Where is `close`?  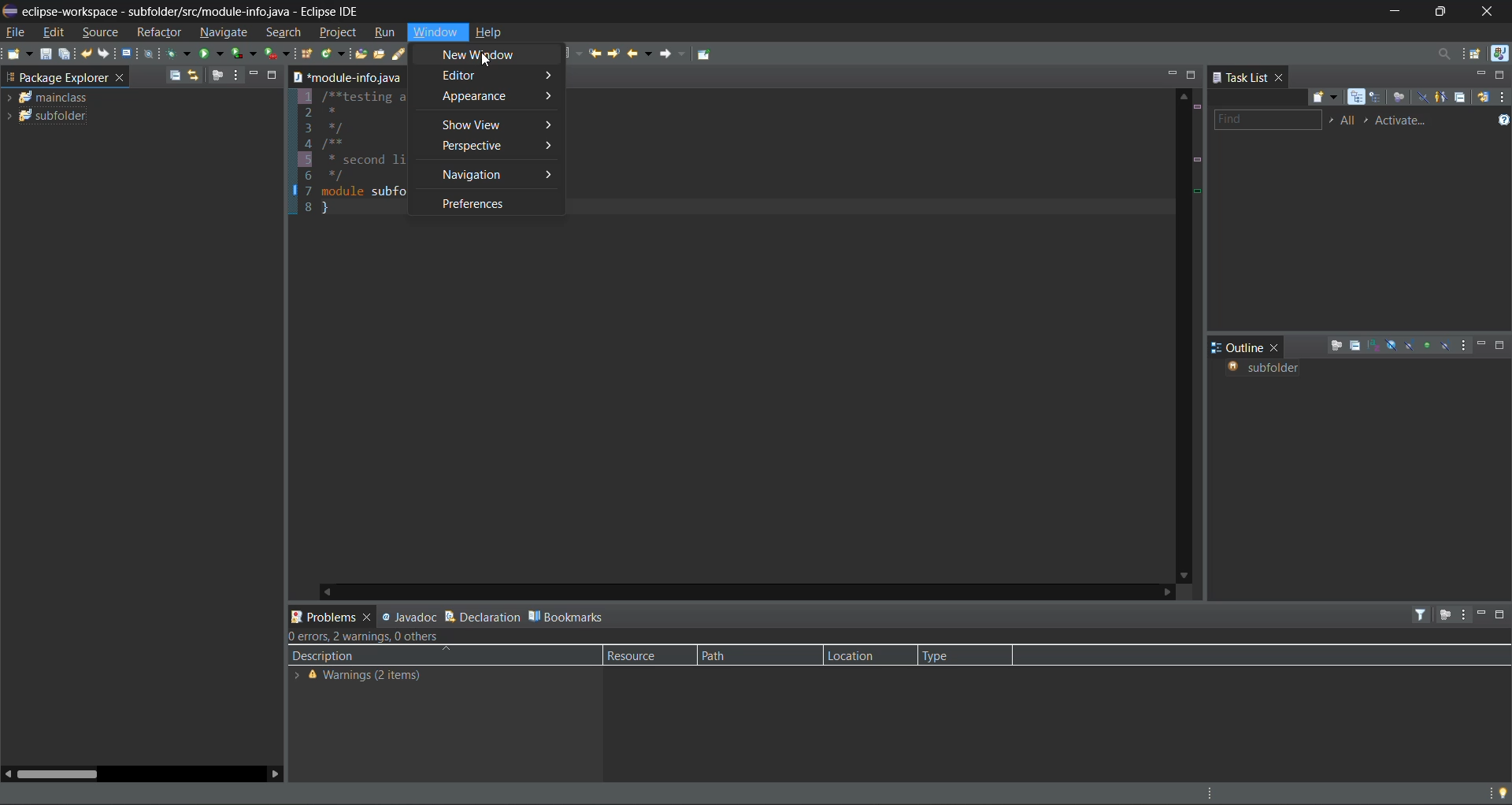 close is located at coordinates (1495, 11).